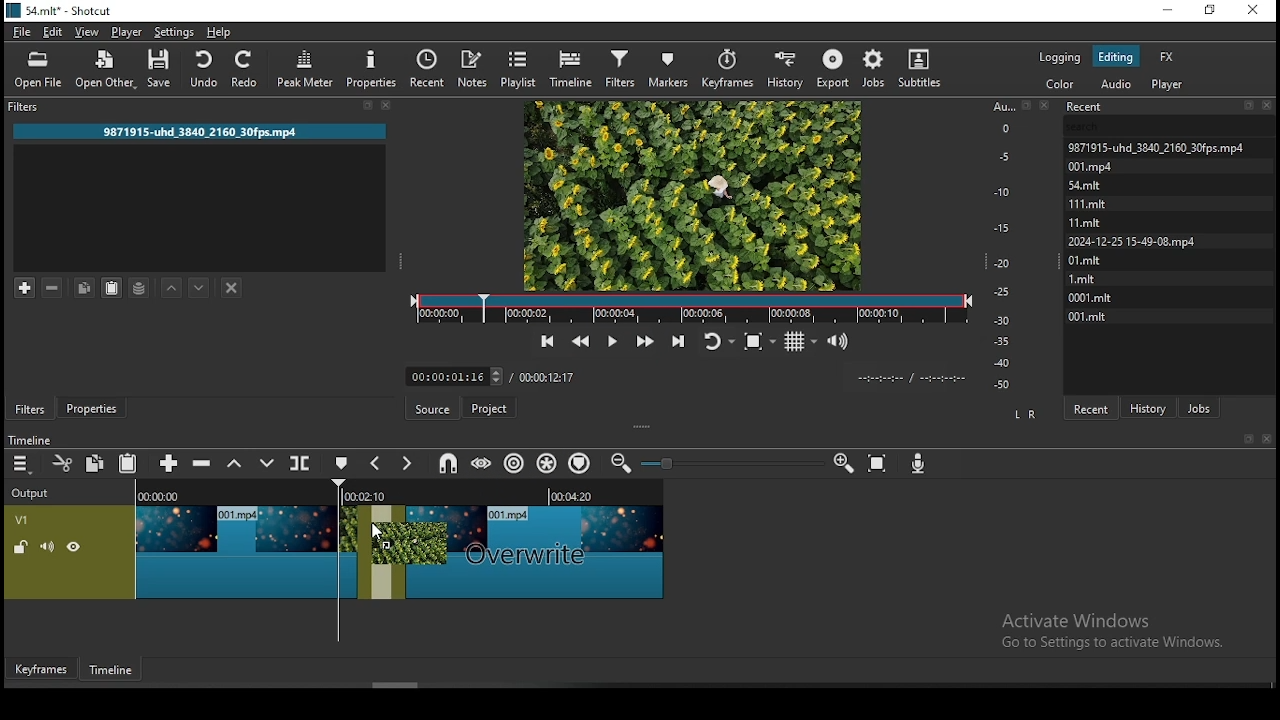 The image size is (1280, 720). Describe the element at coordinates (573, 67) in the screenshot. I see `timeline` at that location.